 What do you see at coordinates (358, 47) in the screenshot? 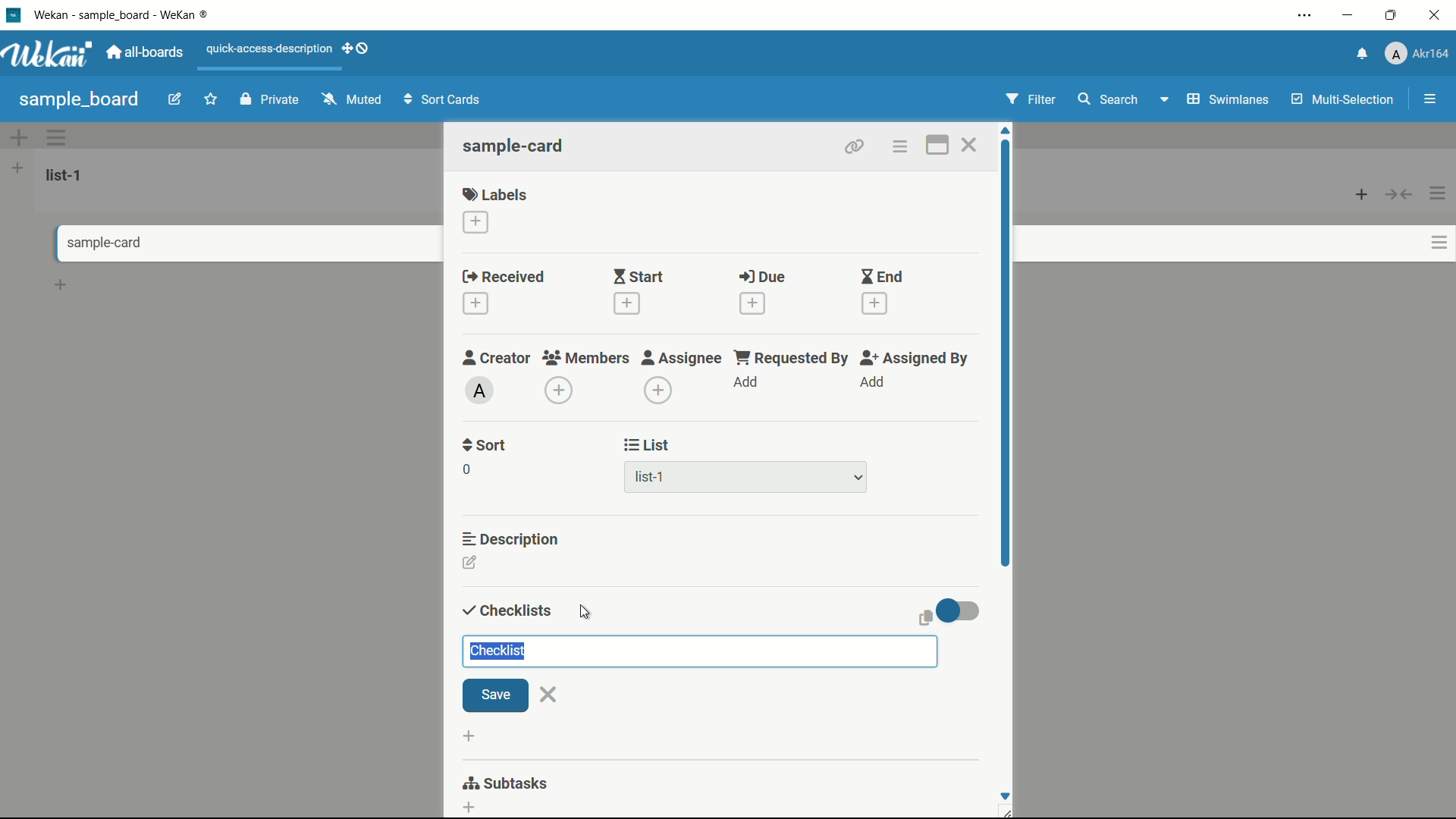
I see `show-desktop-drag-handles` at bounding box center [358, 47].